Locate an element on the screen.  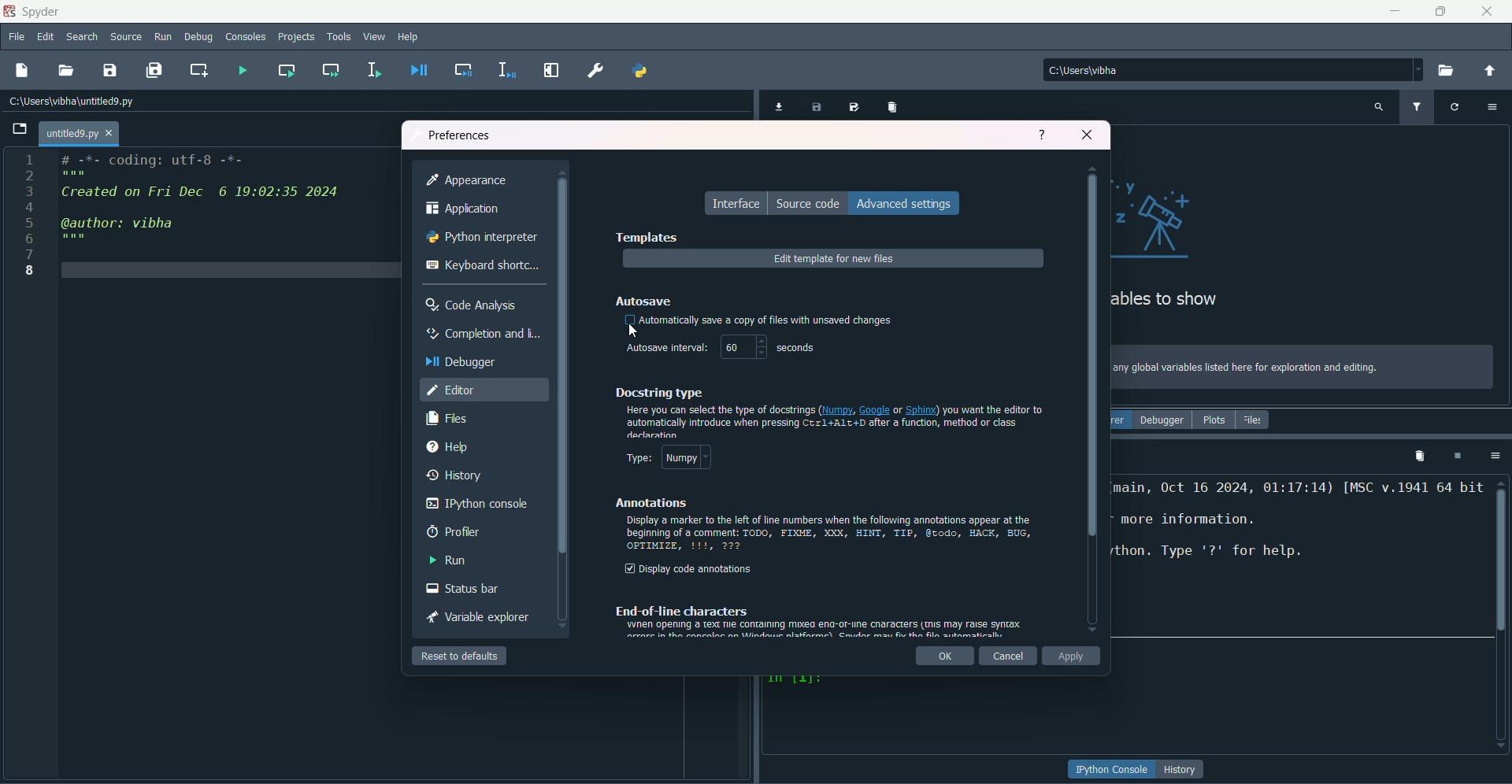
filter variable is located at coordinates (1416, 107).